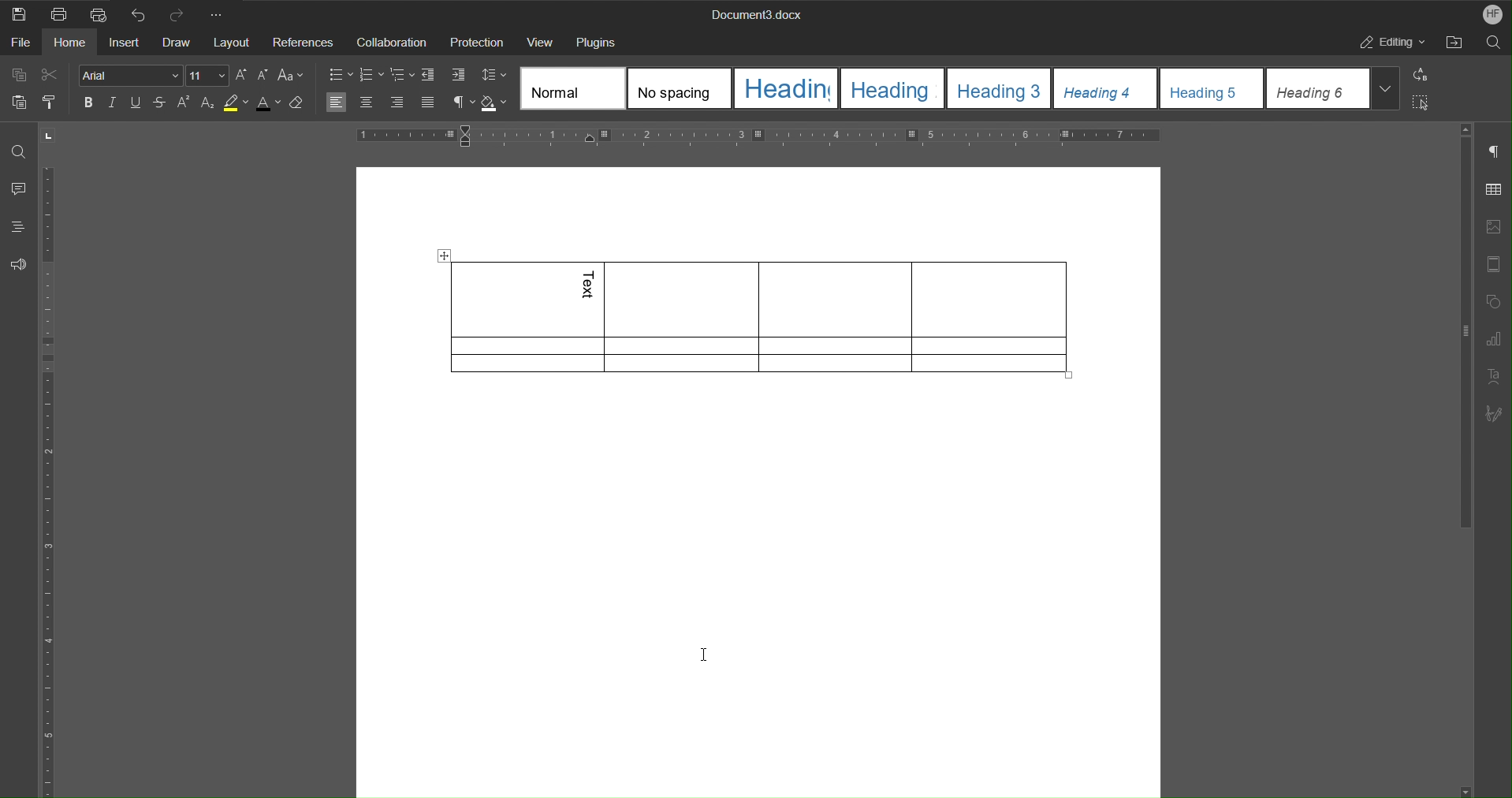 The image size is (1512, 798). I want to click on Text Case Settings, so click(291, 76).